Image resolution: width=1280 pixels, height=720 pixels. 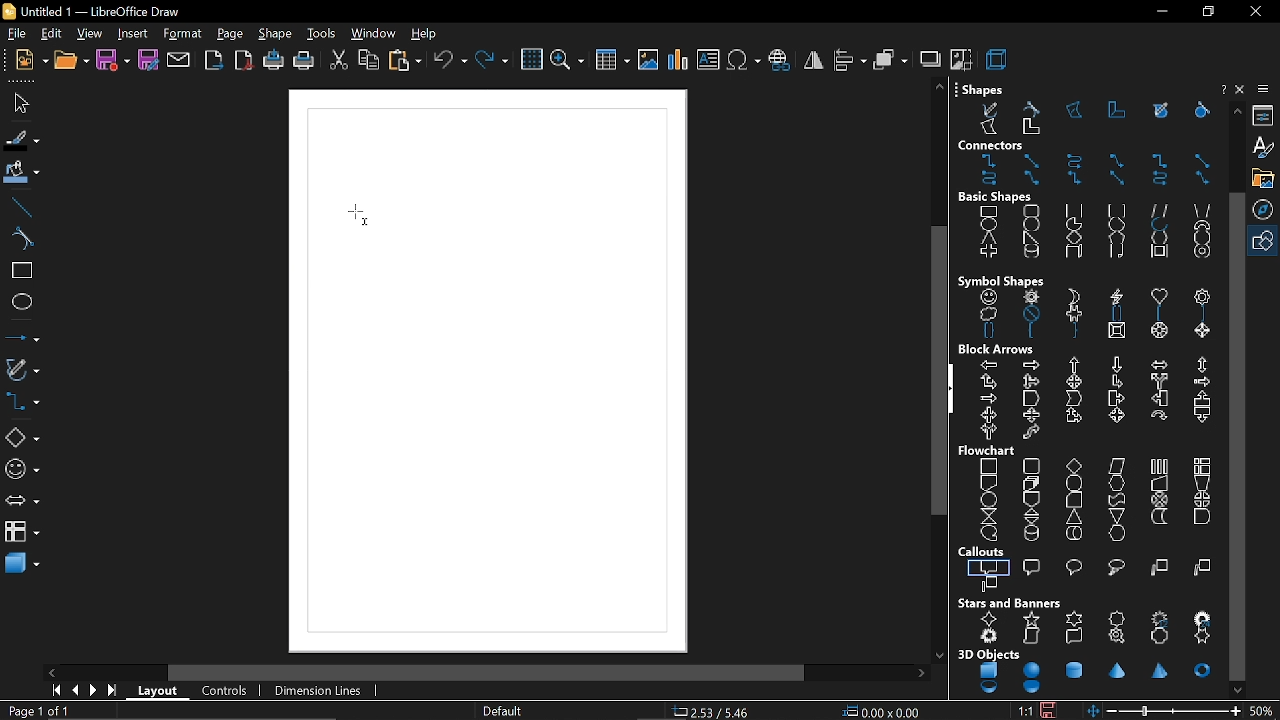 I want to click on right brace, so click(x=1074, y=333).